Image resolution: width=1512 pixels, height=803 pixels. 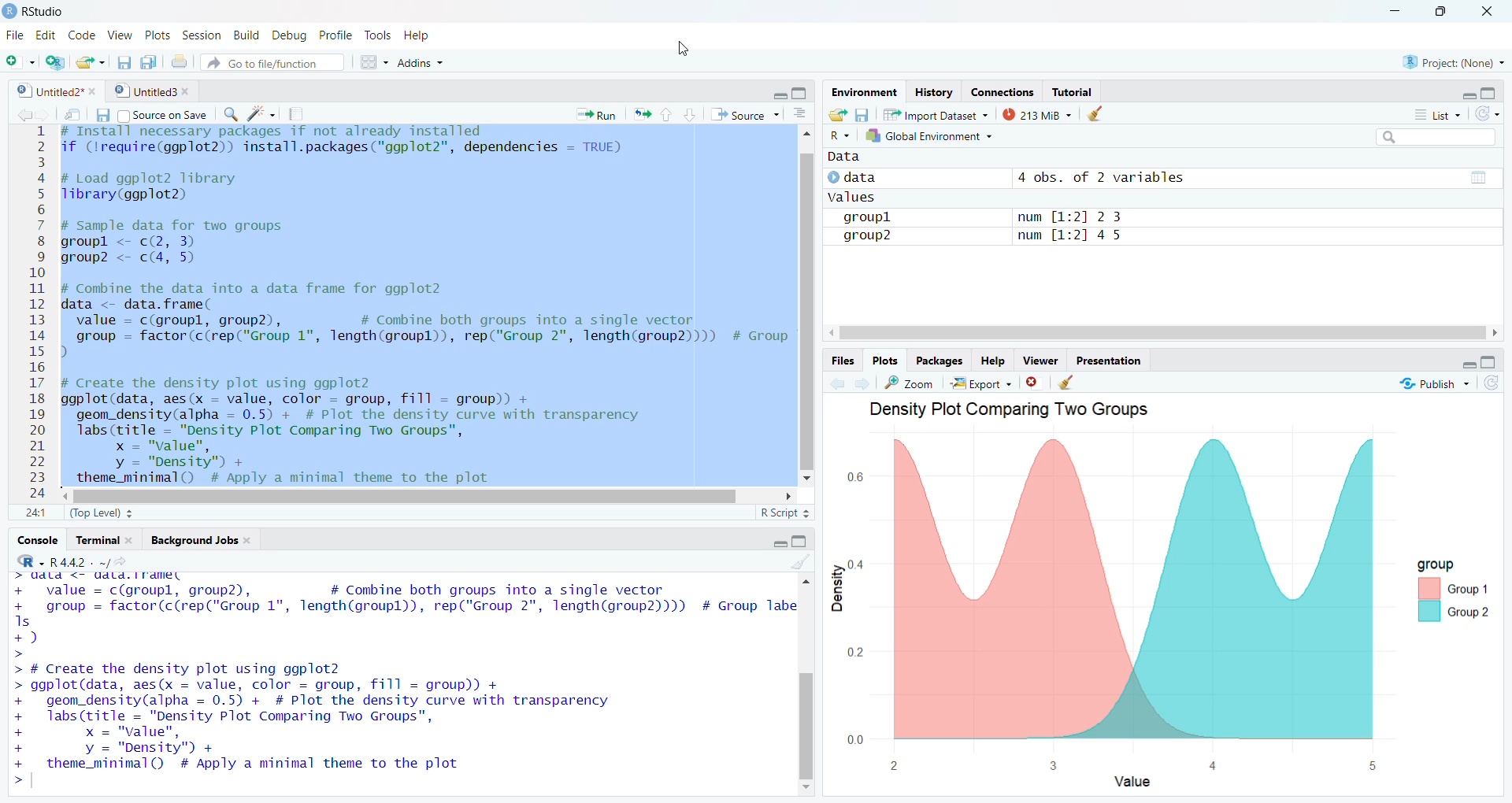 What do you see at coordinates (288, 35) in the screenshot?
I see `debug` at bounding box center [288, 35].